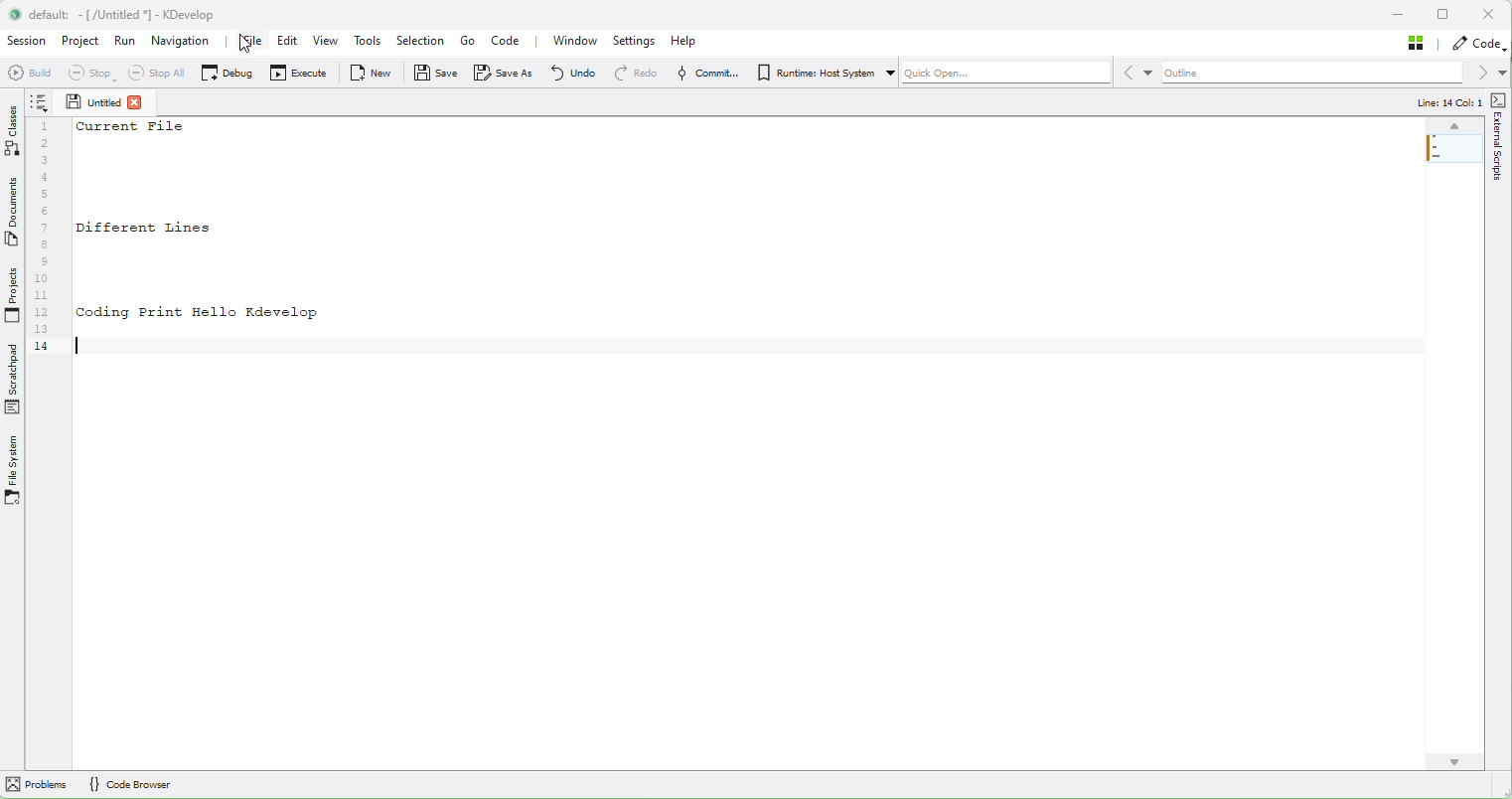  I want to click on Projects, so click(12, 295).